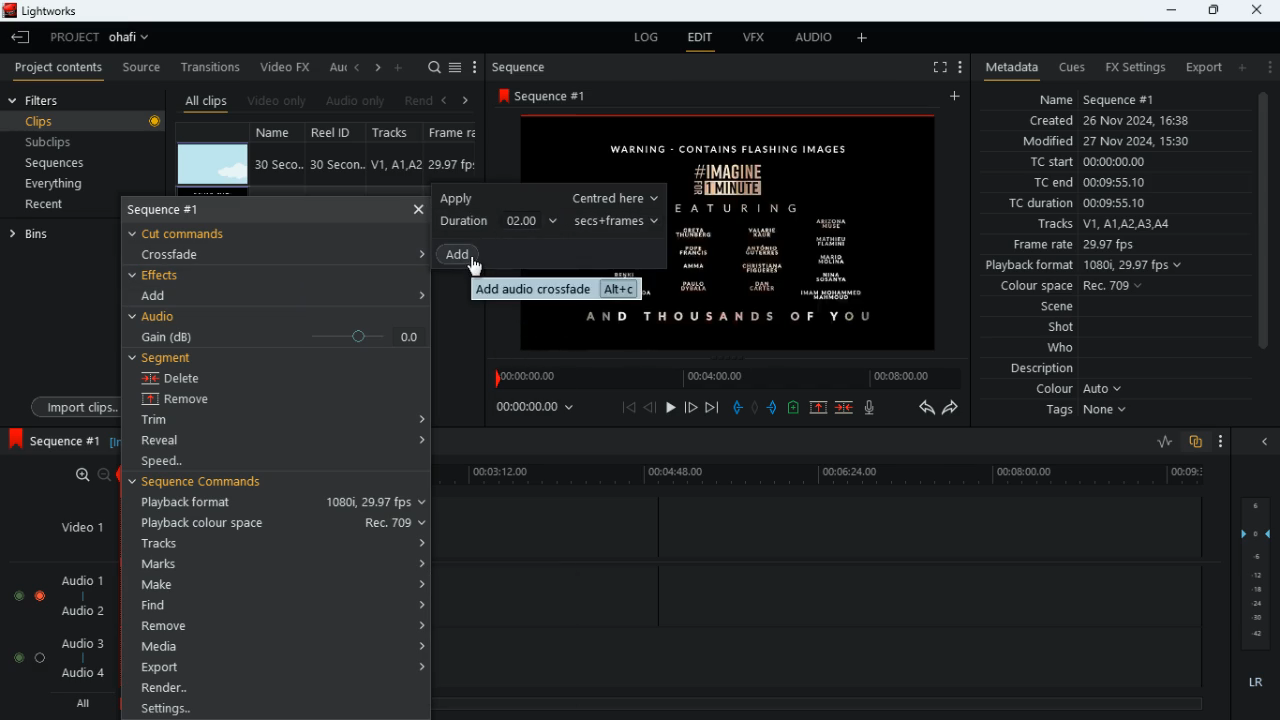  What do you see at coordinates (958, 97) in the screenshot?
I see `add` at bounding box center [958, 97].